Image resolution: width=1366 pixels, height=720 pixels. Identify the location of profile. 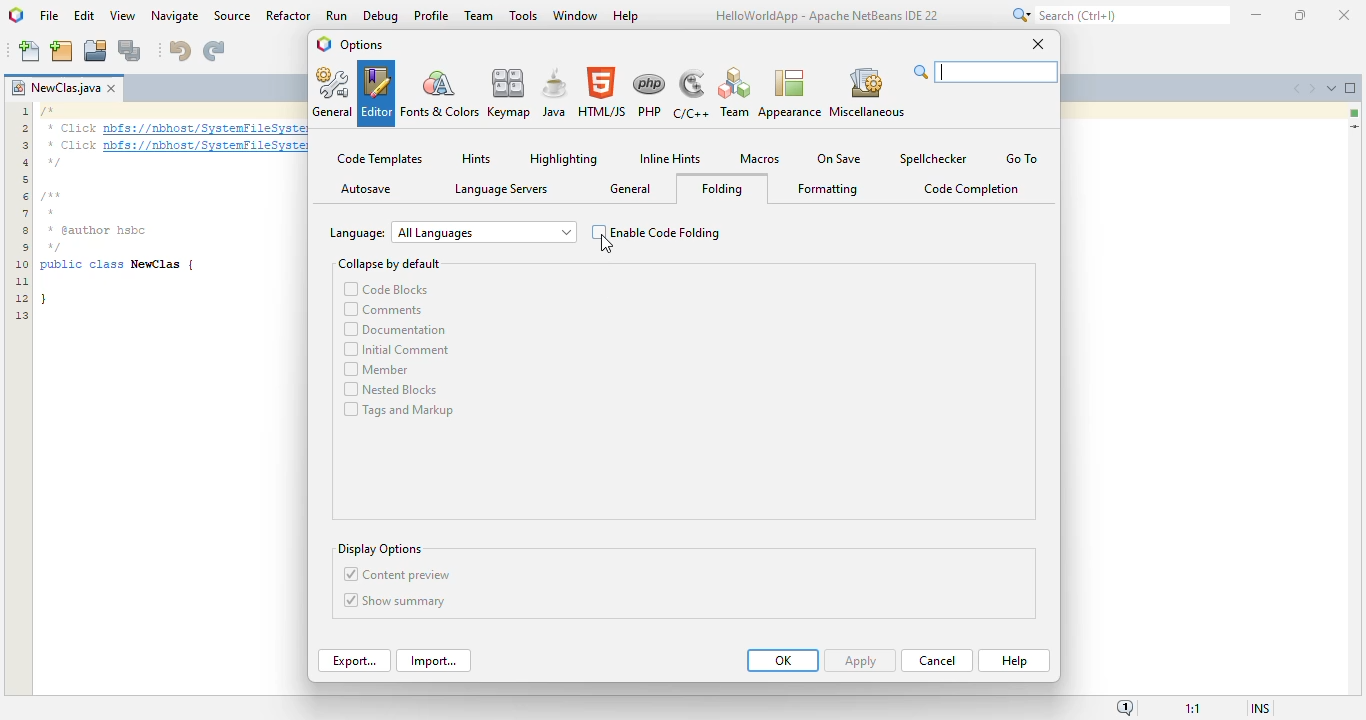
(432, 15).